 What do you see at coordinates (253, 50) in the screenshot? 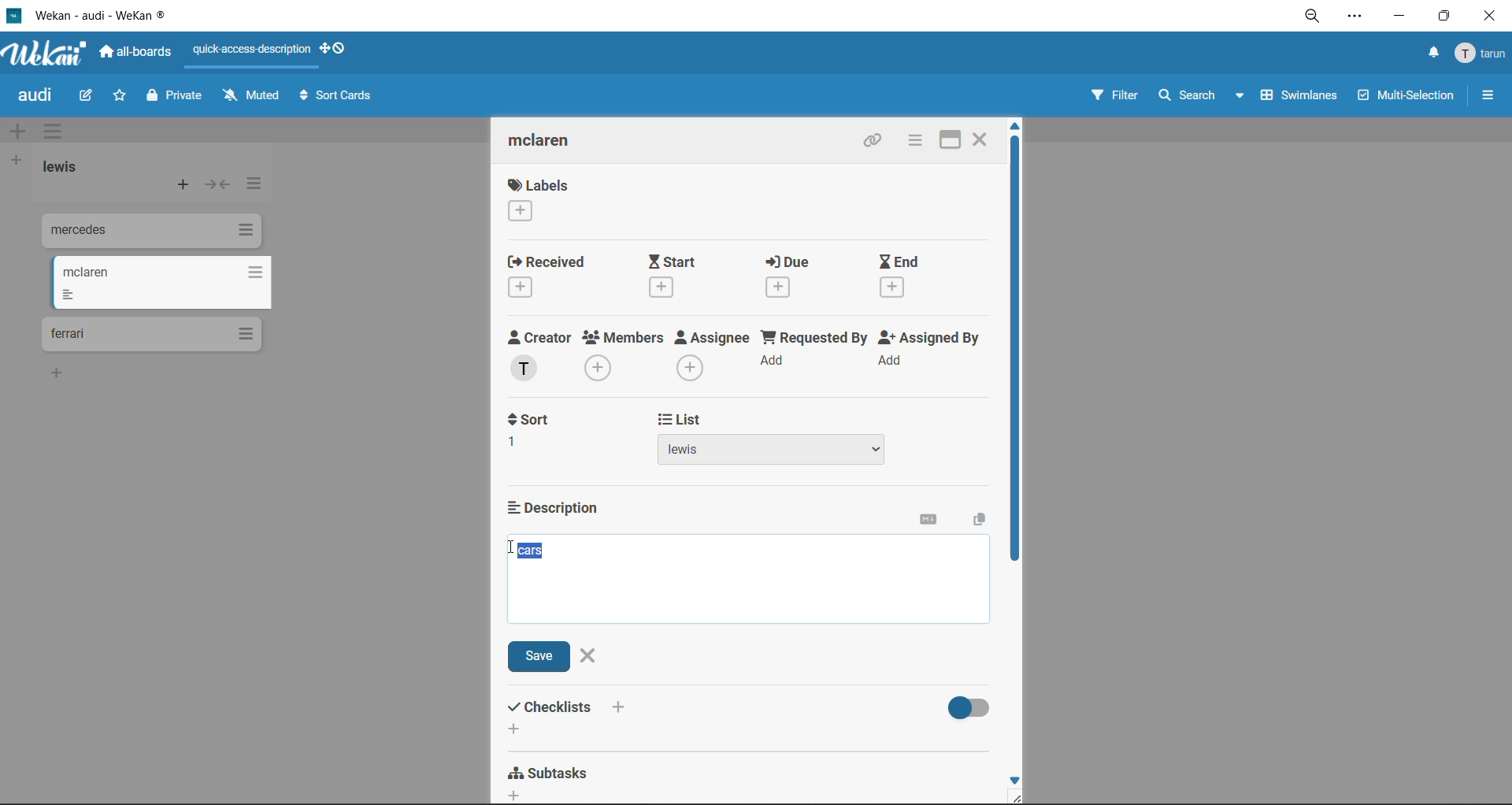
I see `quick access description` at bounding box center [253, 50].